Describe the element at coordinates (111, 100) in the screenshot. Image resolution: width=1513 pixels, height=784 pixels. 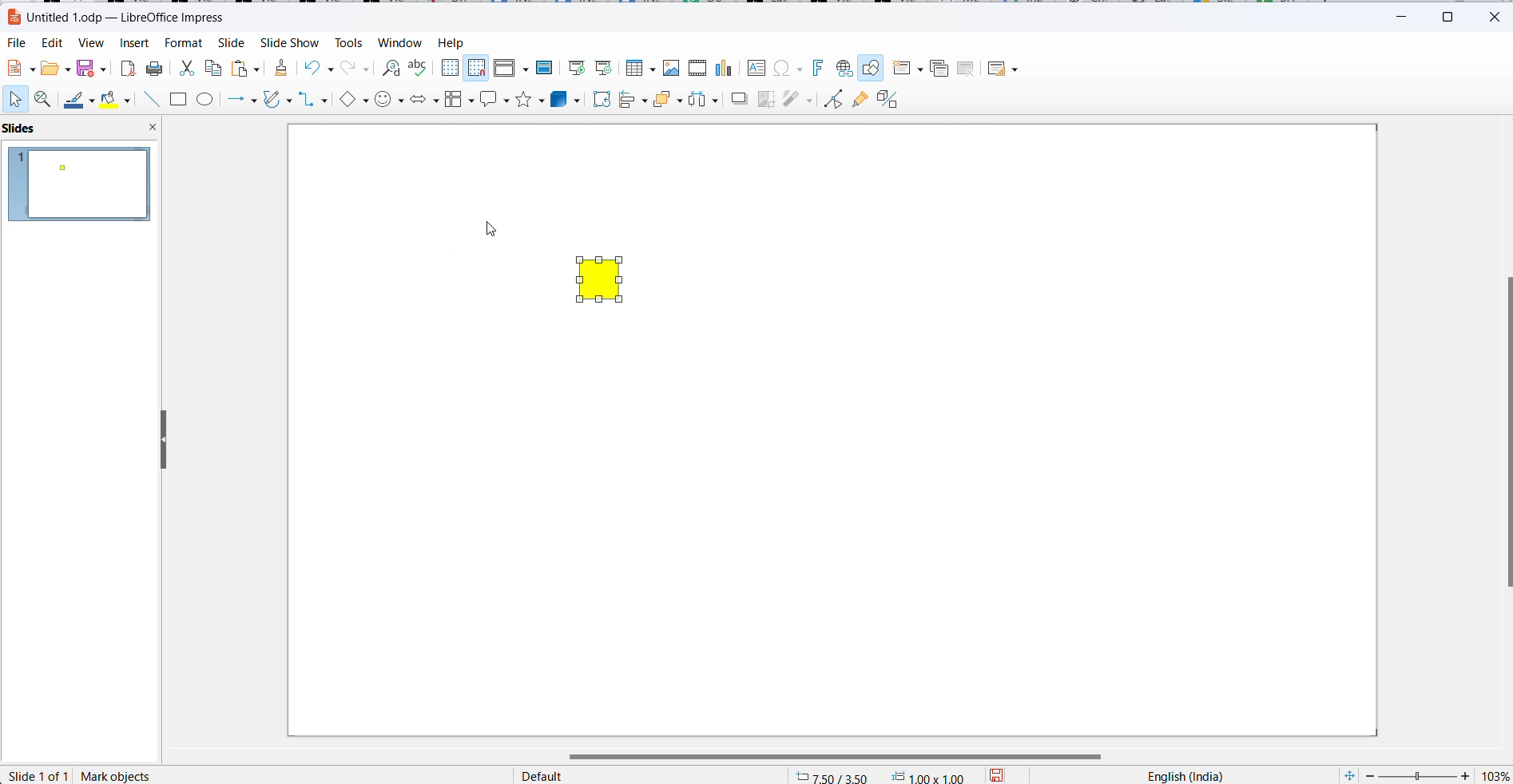
I see `fill color` at that location.